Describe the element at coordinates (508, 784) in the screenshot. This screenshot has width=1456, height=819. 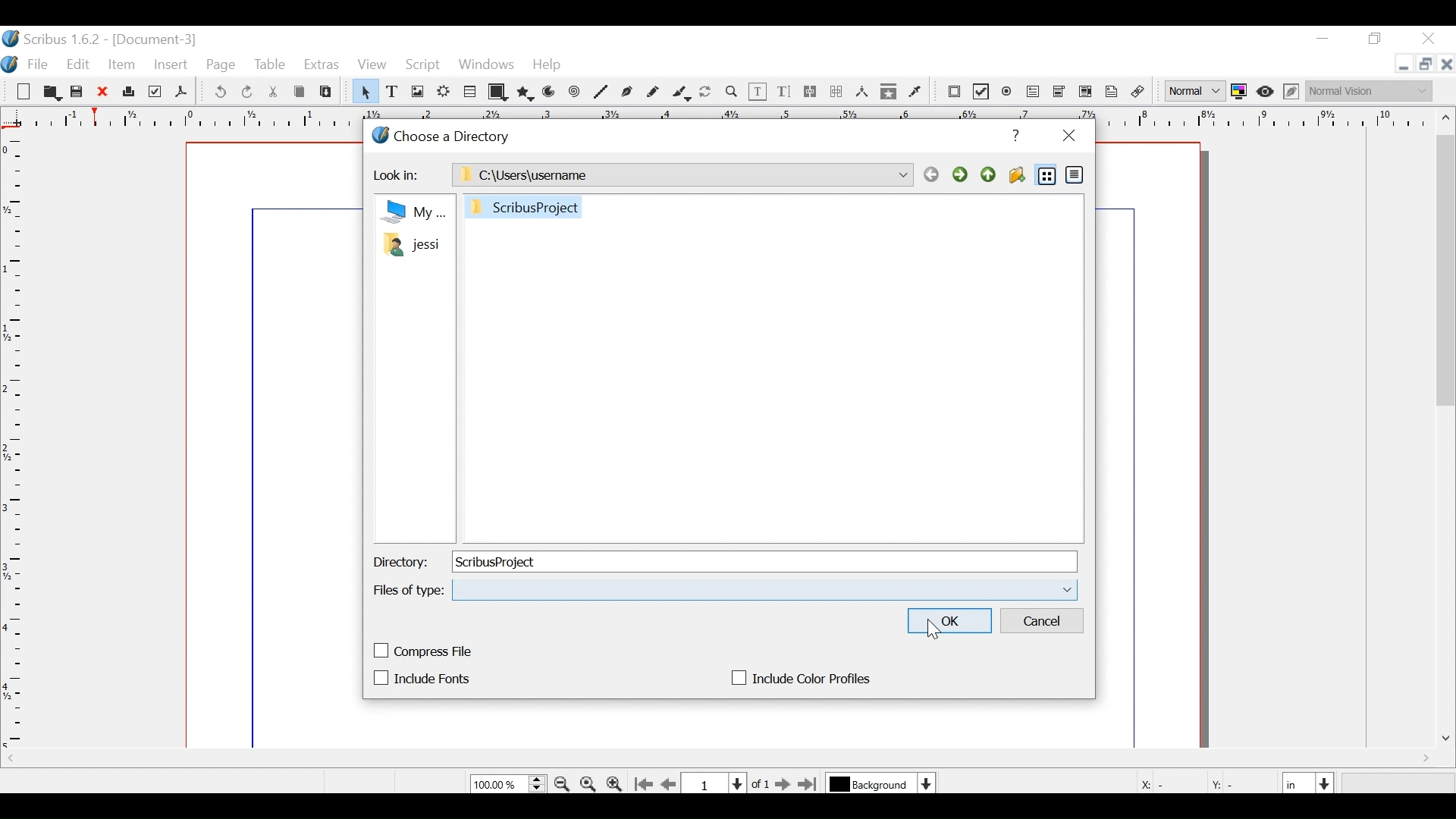
I see `Zoom` at that location.